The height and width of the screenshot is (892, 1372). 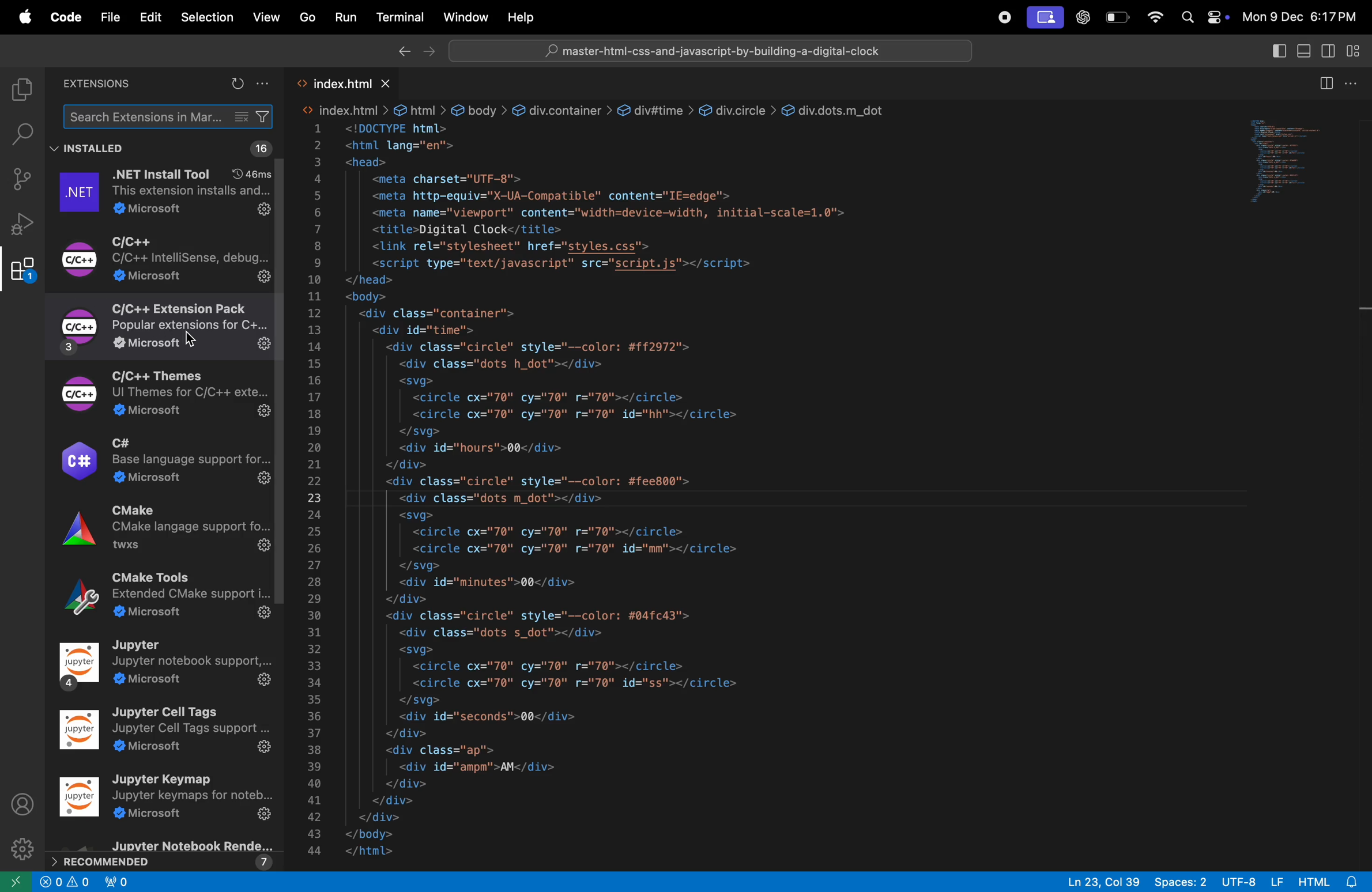 What do you see at coordinates (66, 17) in the screenshot?
I see `Code` at bounding box center [66, 17].